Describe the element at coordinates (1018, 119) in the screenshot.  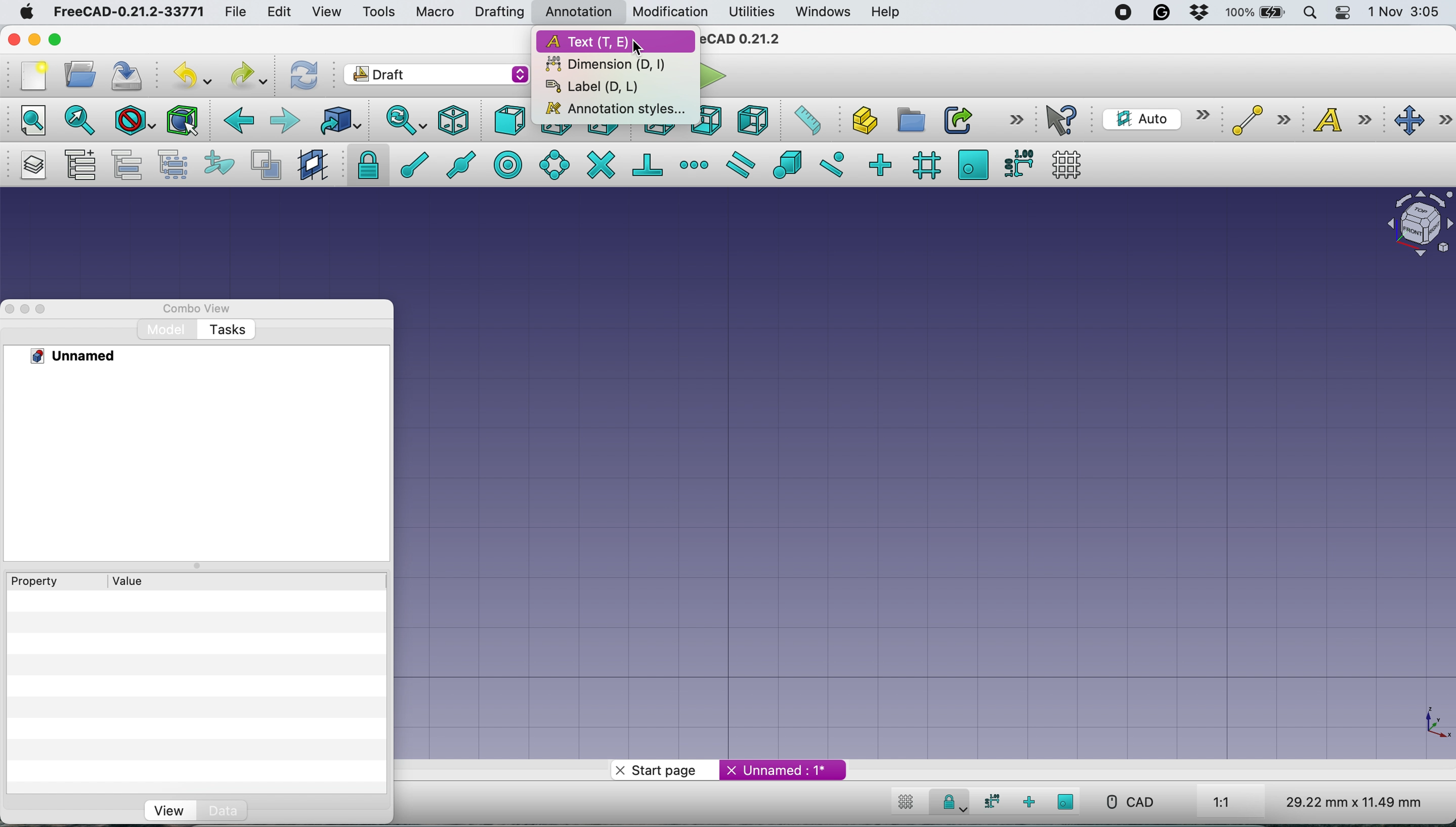
I see `more options` at that location.